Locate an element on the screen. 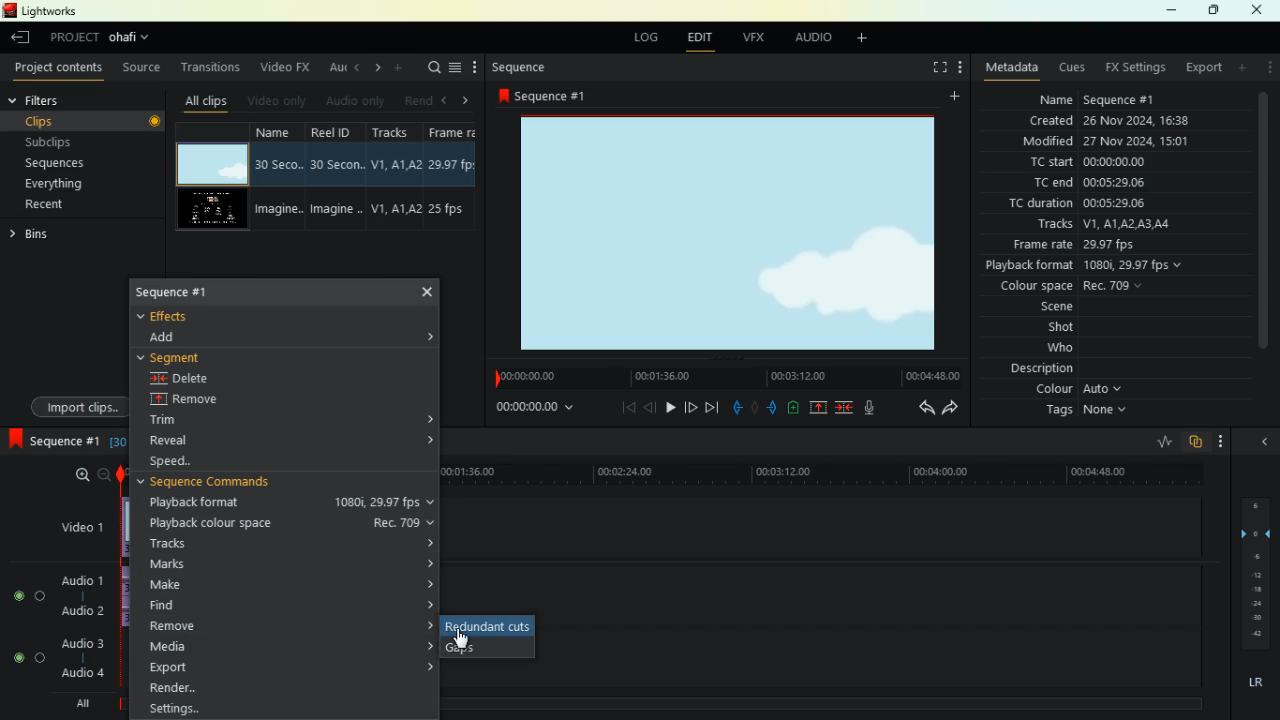  mic is located at coordinates (868, 408).